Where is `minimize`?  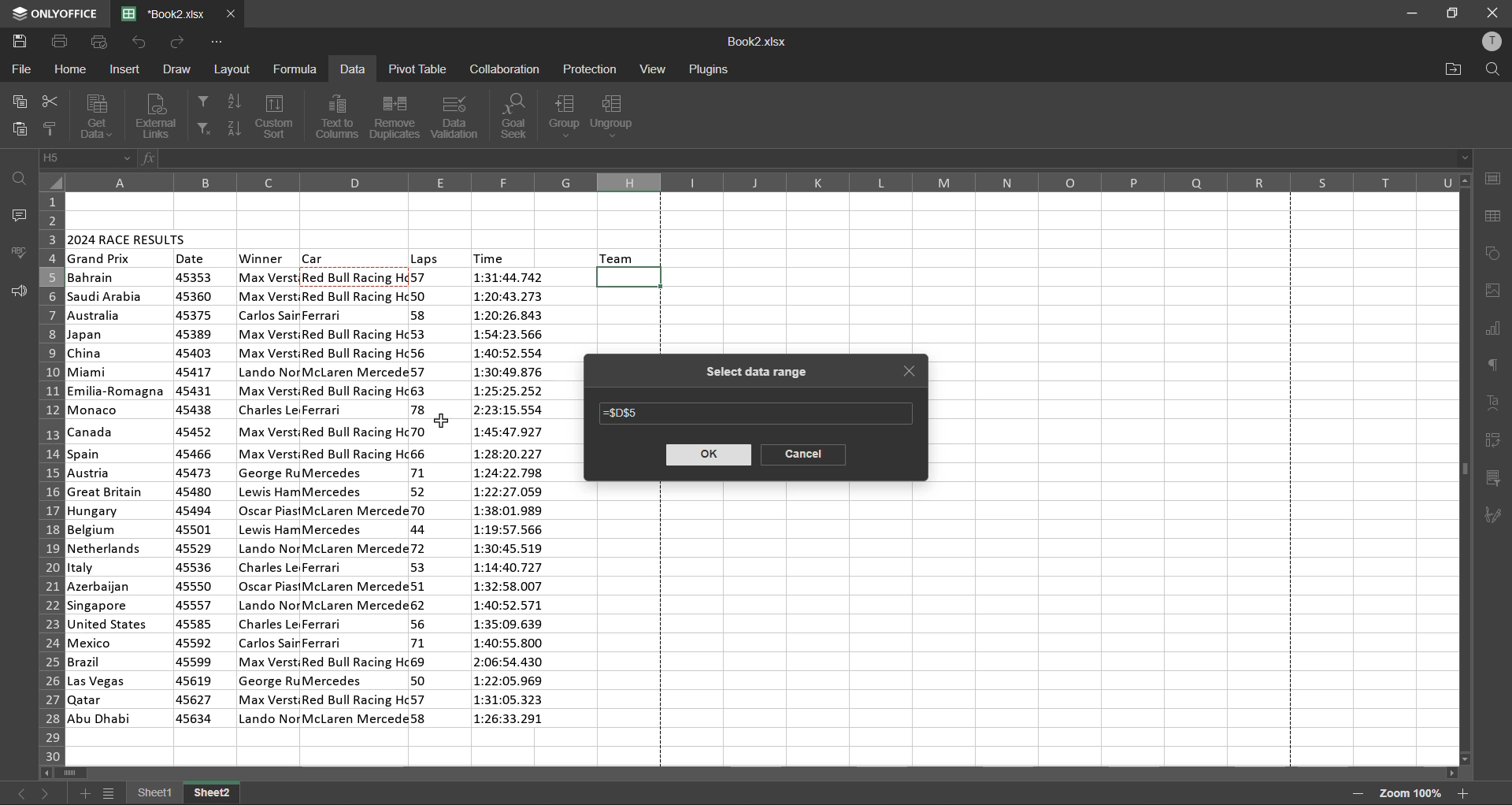
minimize is located at coordinates (1411, 14).